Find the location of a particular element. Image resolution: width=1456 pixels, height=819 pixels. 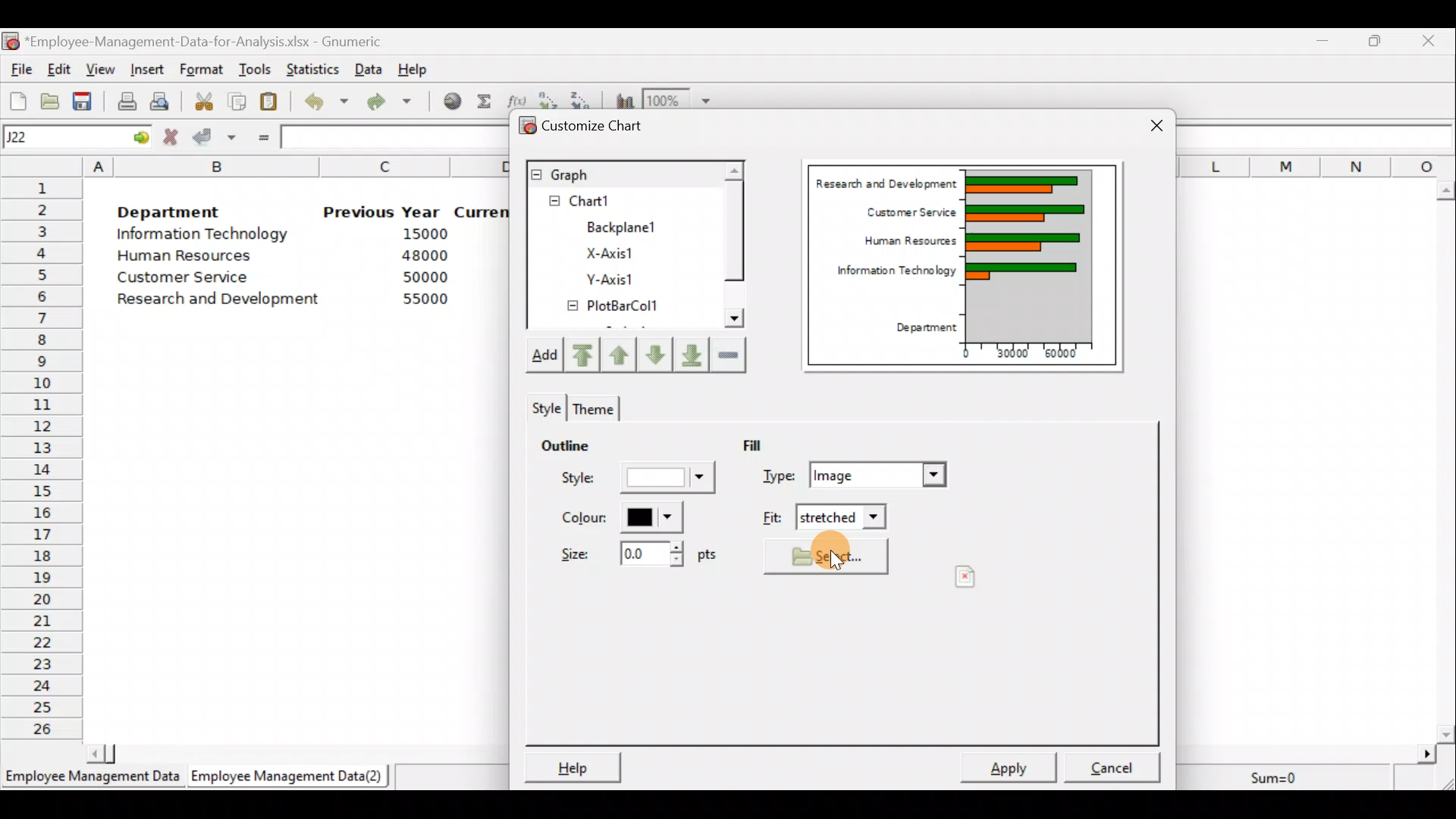

Add is located at coordinates (549, 356).